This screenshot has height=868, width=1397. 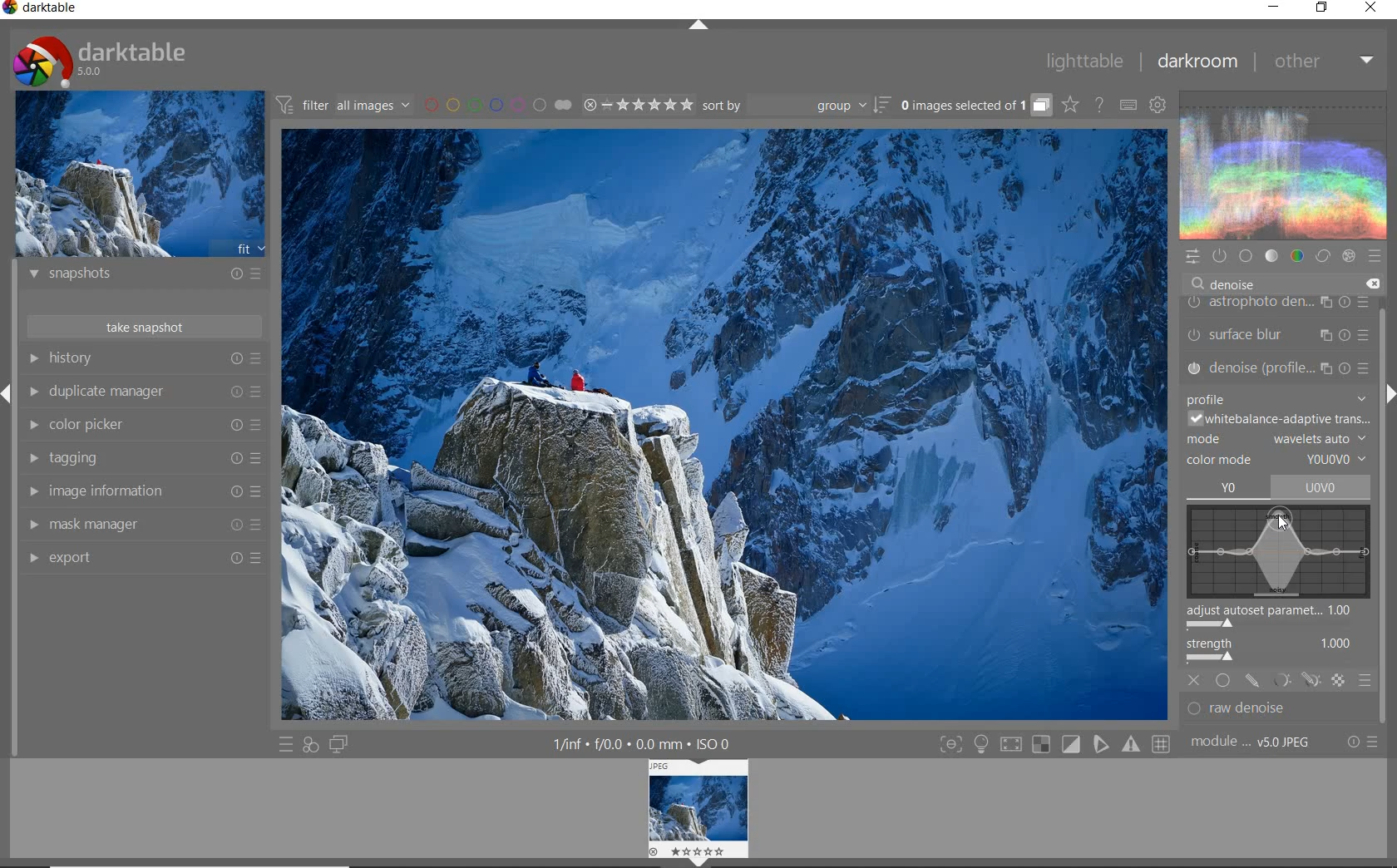 I want to click on show only active modules, so click(x=1218, y=256).